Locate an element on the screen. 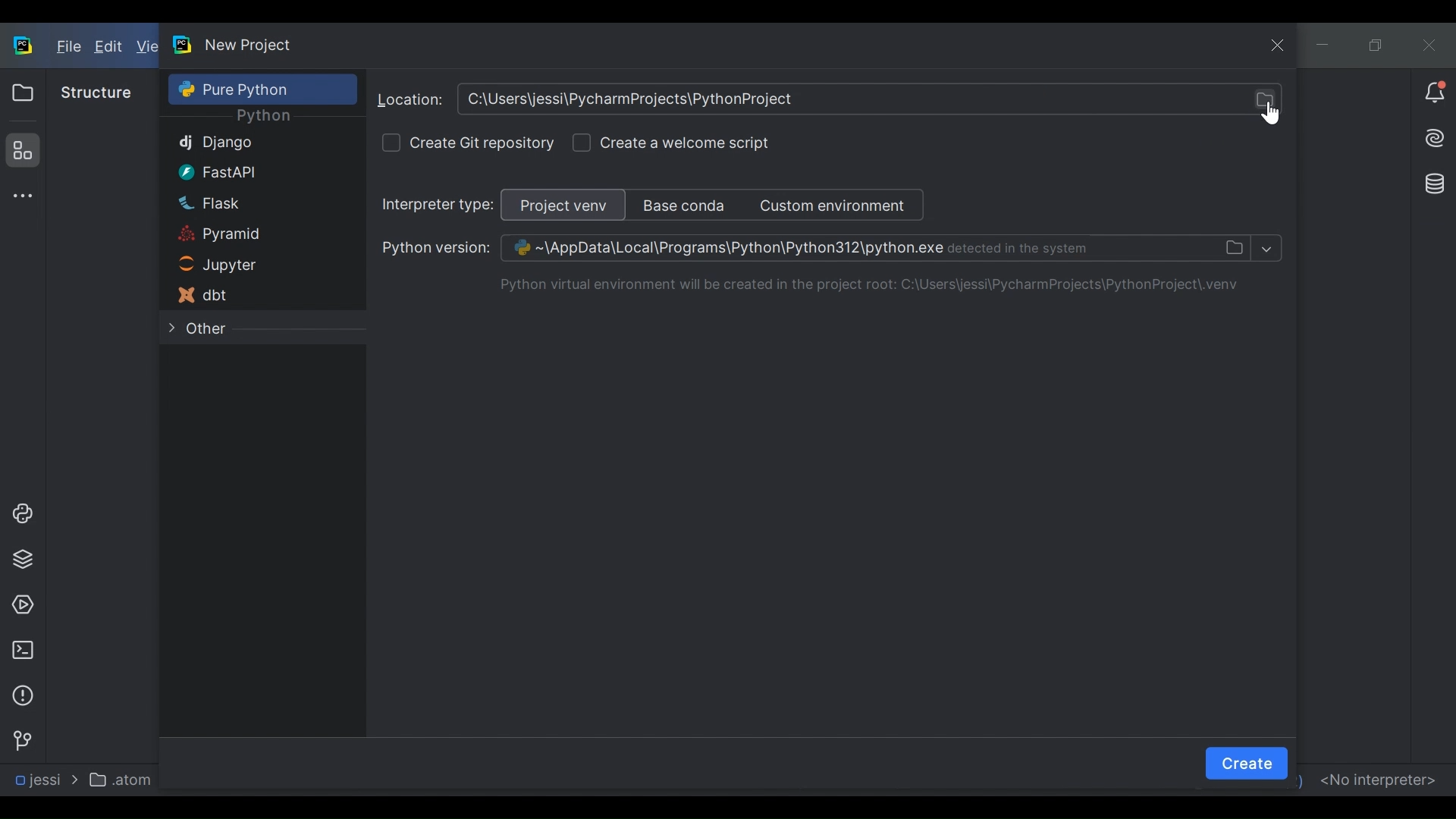 The image size is (1456, 819). atom is located at coordinates (124, 779).